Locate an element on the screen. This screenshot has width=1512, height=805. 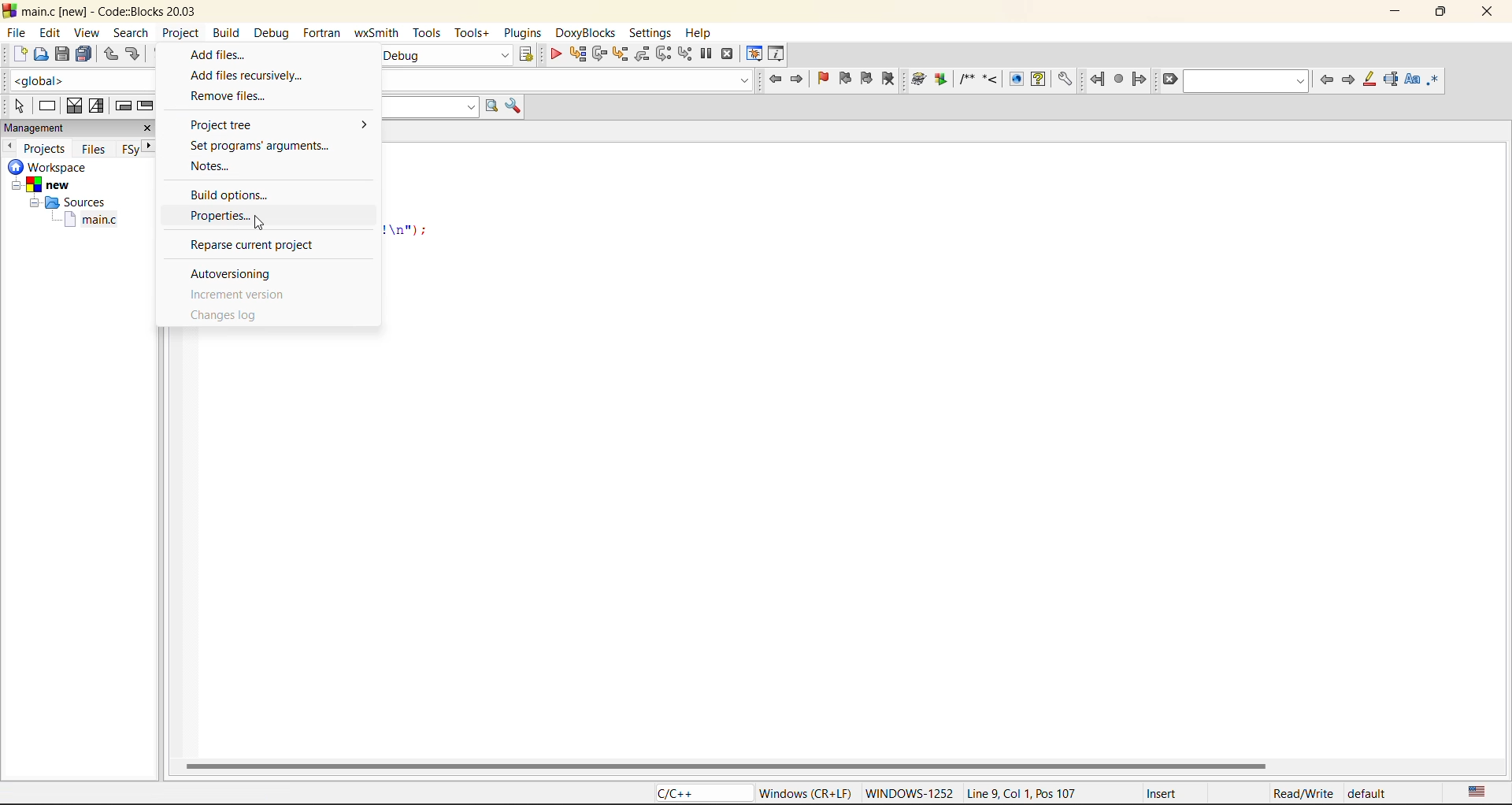
doxyblocks is located at coordinates (584, 33).